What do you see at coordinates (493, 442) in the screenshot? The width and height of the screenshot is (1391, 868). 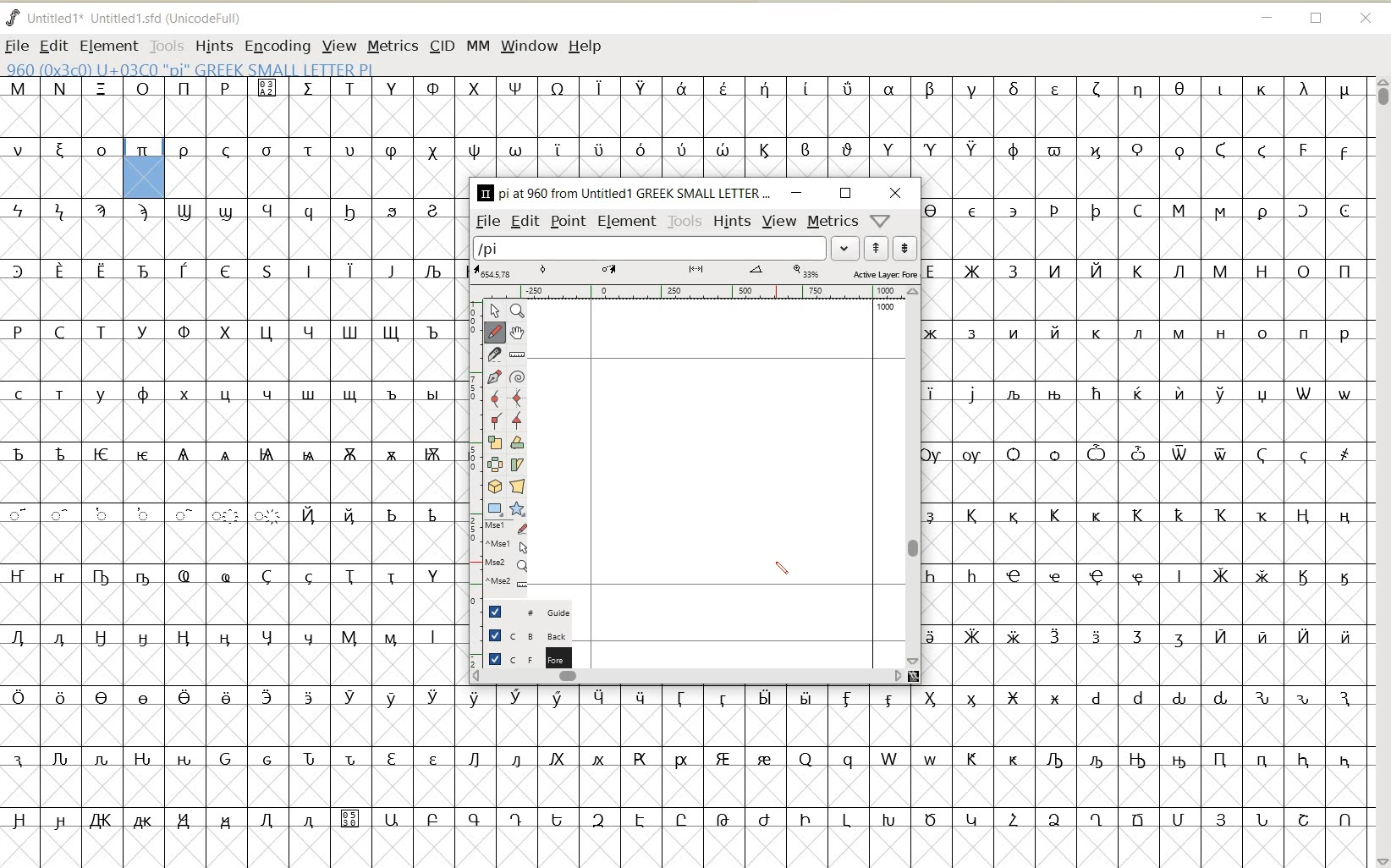 I see `scale the selection` at bounding box center [493, 442].